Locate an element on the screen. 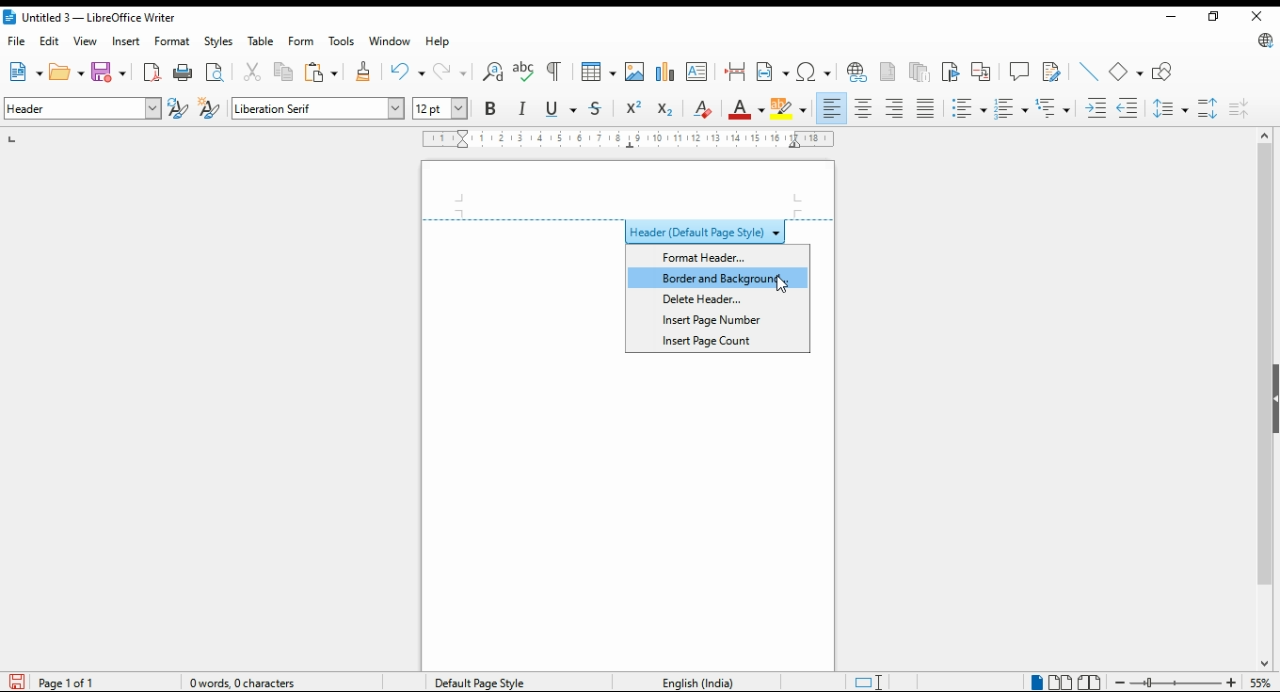  book view is located at coordinates (1090, 683).